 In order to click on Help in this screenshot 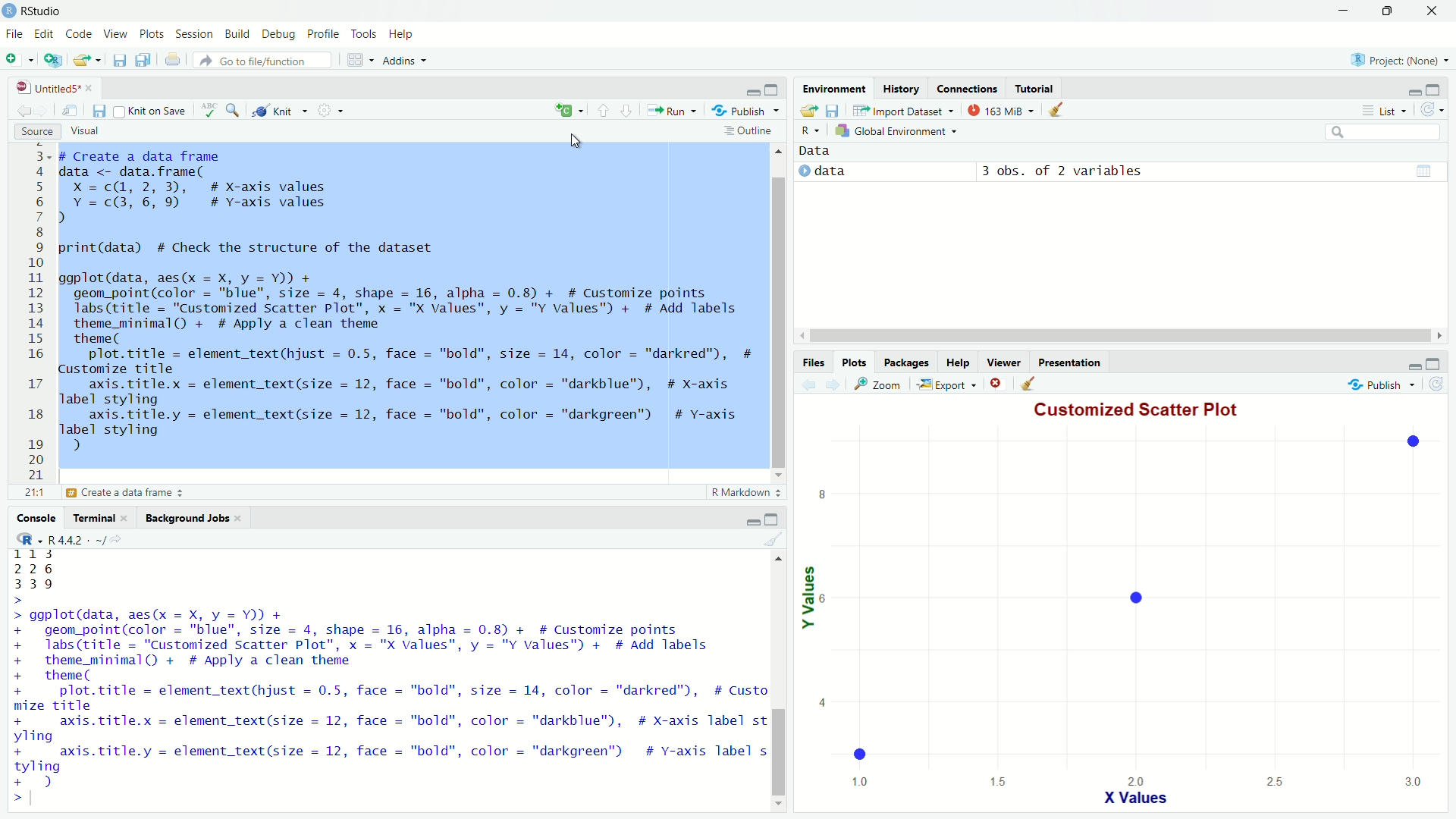, I will do `click(400, 33)`.